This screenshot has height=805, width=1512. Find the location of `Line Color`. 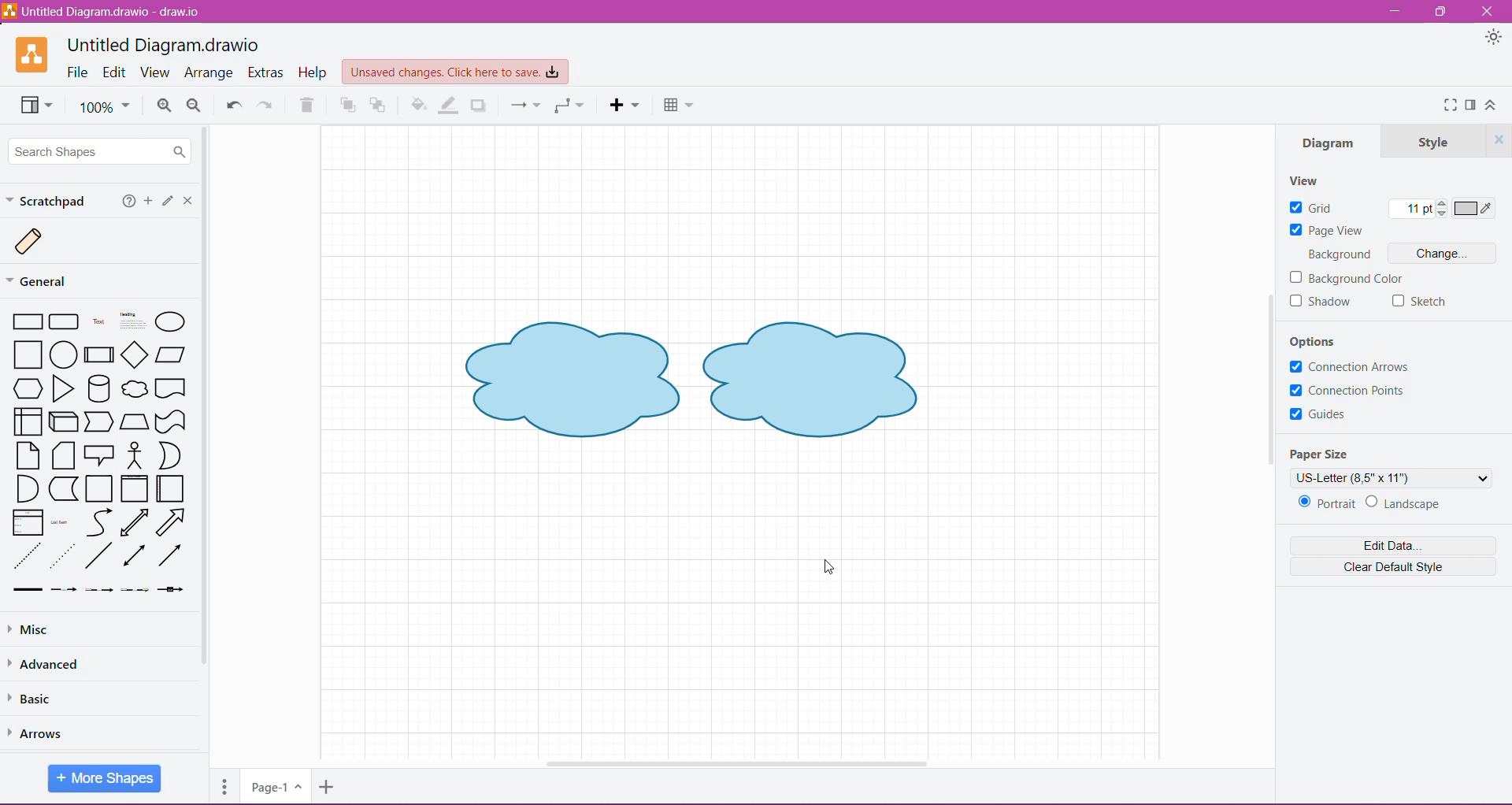

Line Color is located at coordinates (449, 106).